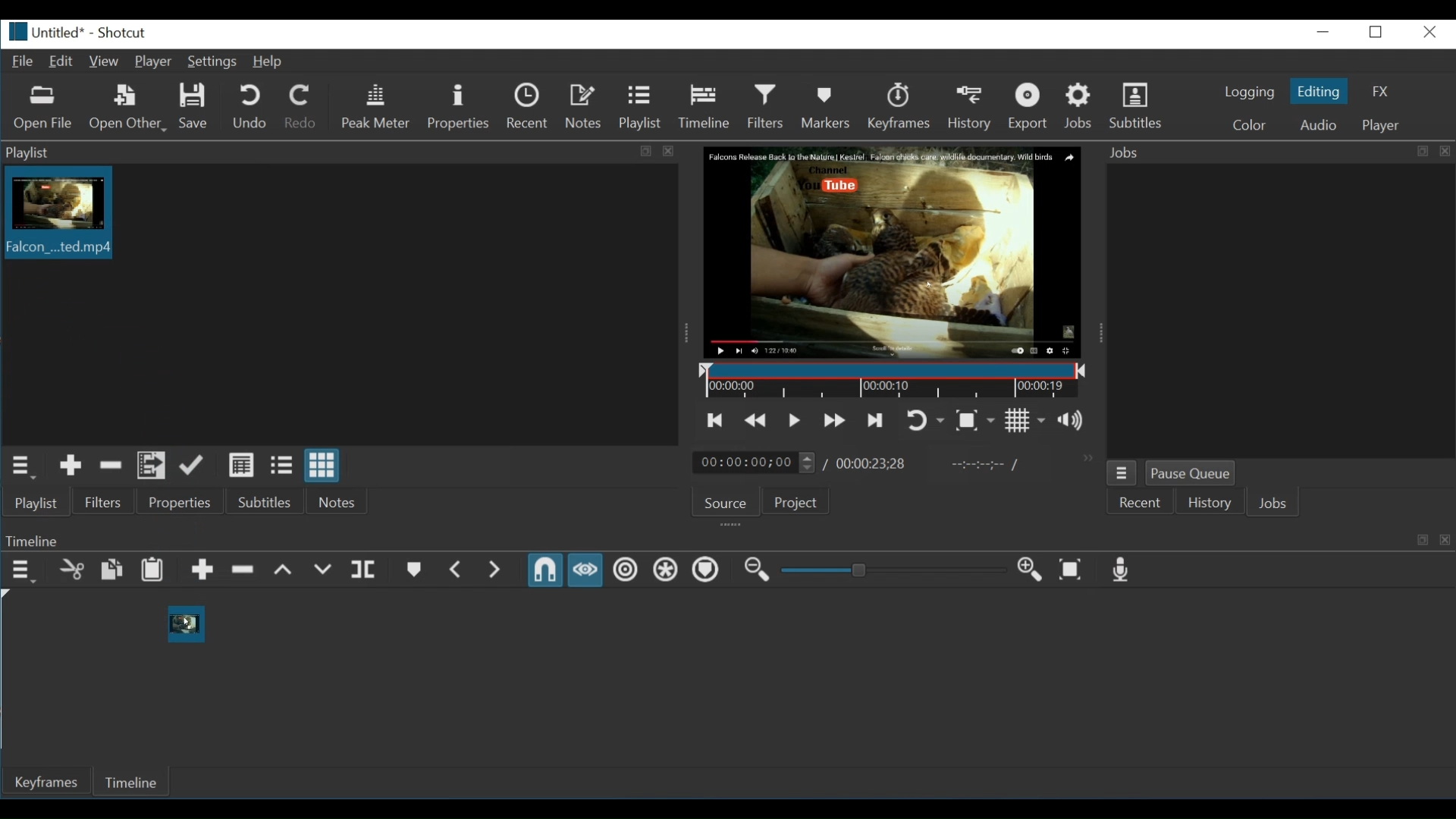 The image size is (1456, 819). What do you see at coordinates (322, 571) in the screenshot?
I see `Overwrite` at bounding box center [322, 571].